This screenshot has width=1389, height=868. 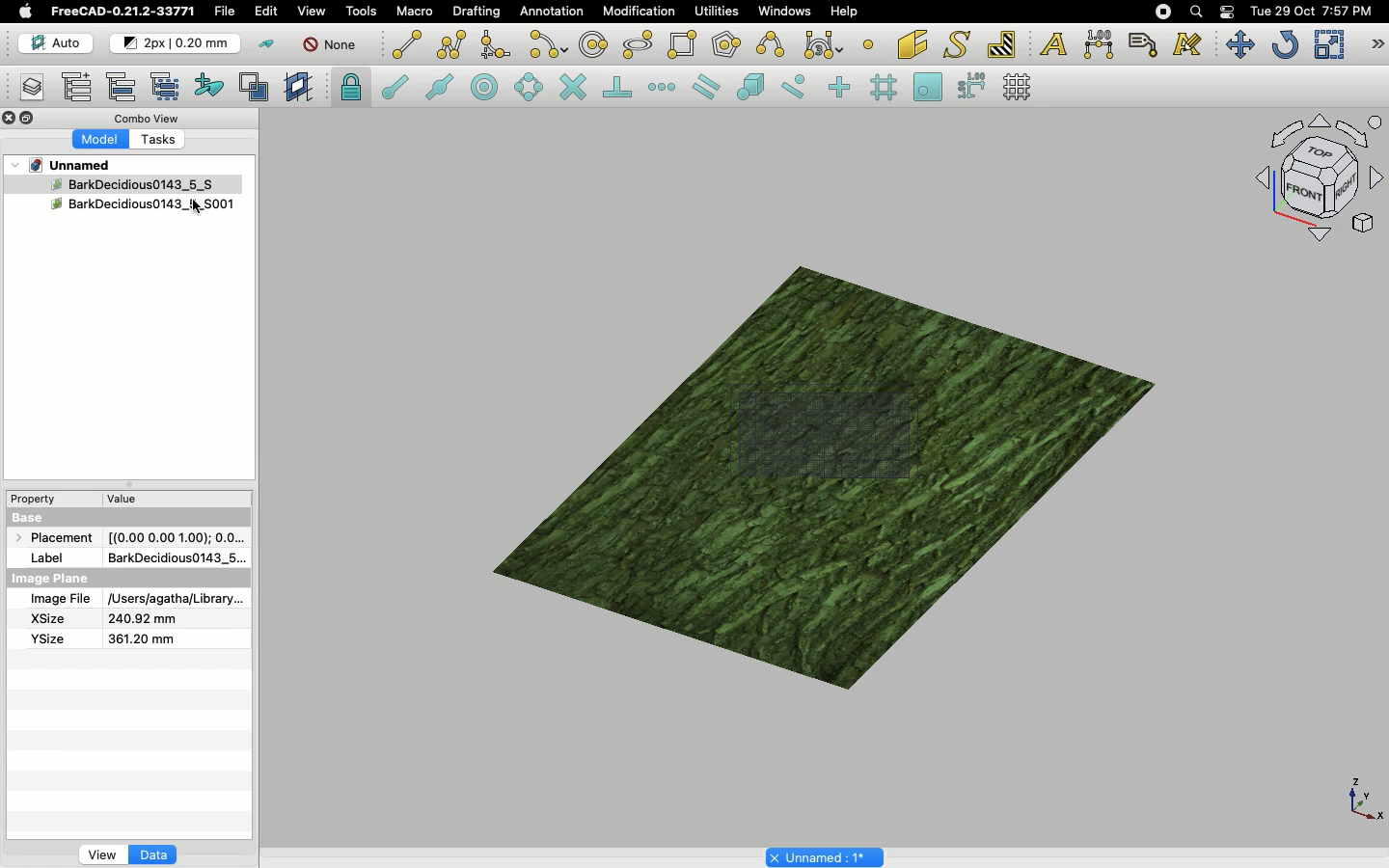 What do you see at coordinates (1229, 11) in the screenshot?
I see `Notification` at bounding box center [1229, 11].